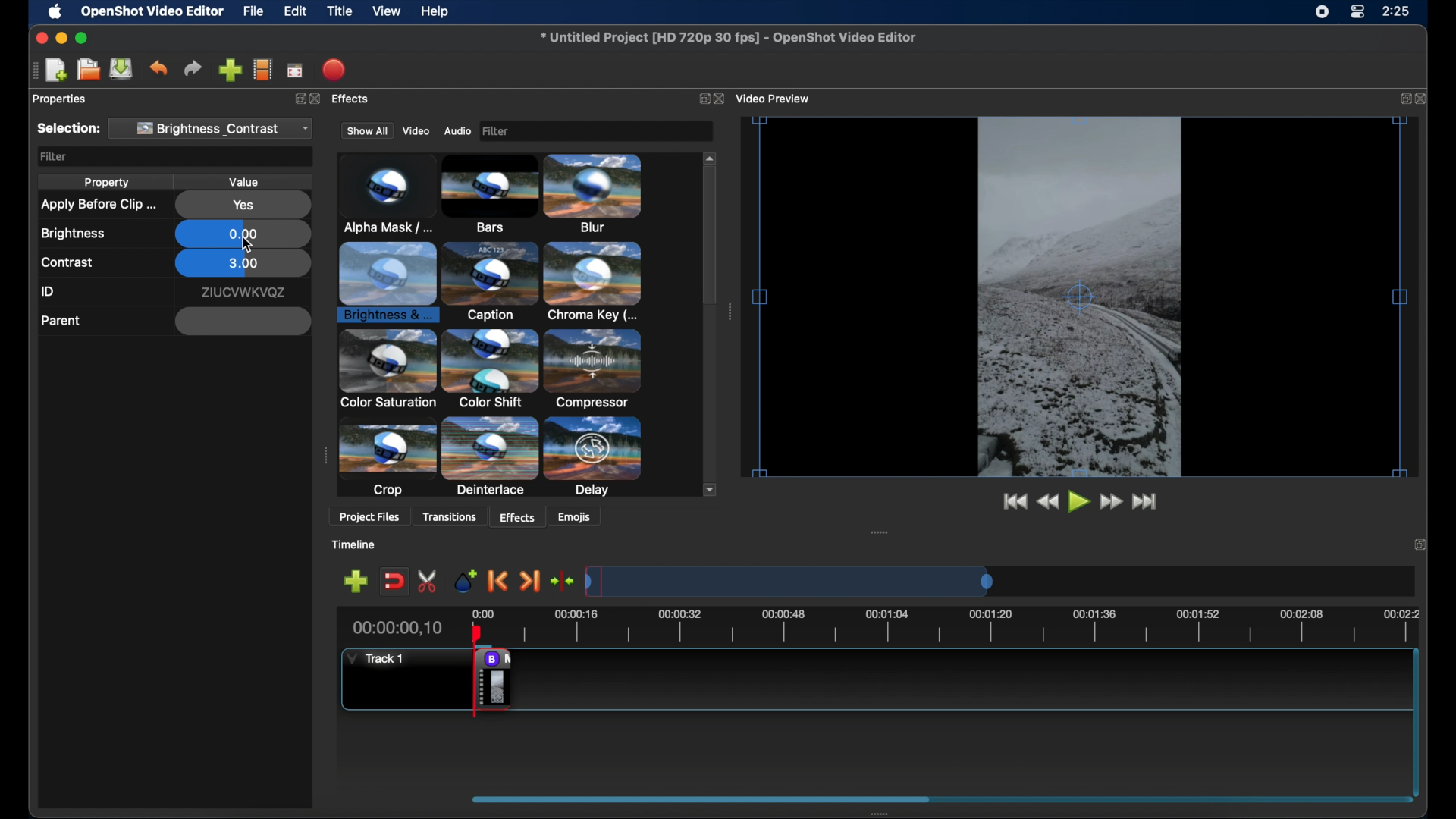 This screenshot has width=1456, height=819. Describe the element at coordinates (242, 234) in the screenshot. I see `0.00` at that location.